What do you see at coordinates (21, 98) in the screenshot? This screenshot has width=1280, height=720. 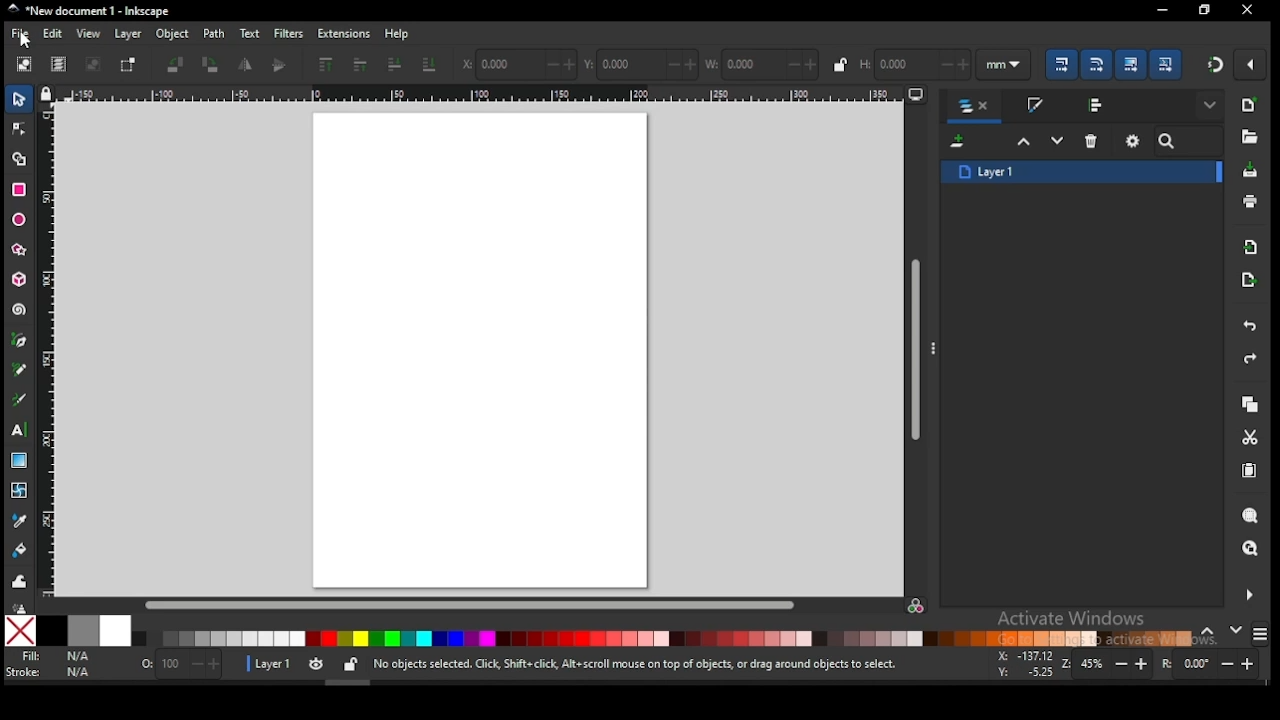 I see `select` at bounding box center [21, 98].